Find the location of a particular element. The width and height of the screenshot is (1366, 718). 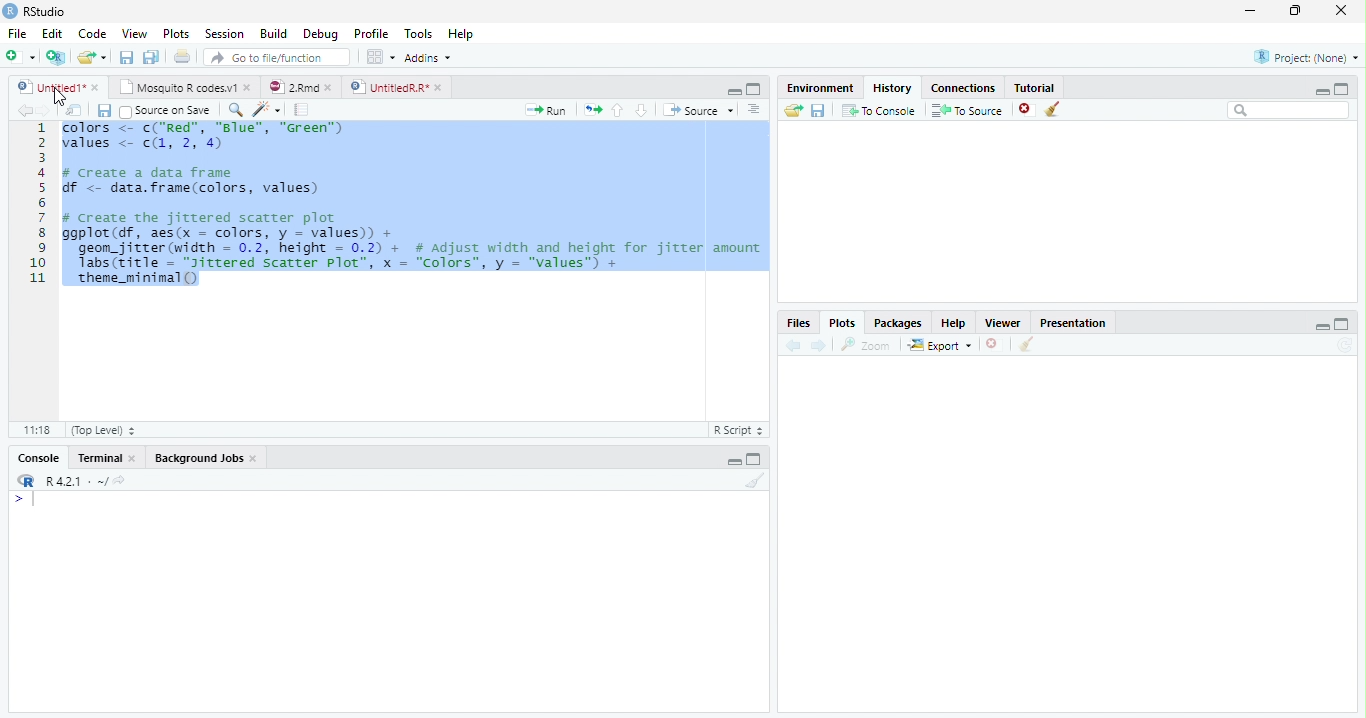

View the current working directory is located at coordinates (121, 480).